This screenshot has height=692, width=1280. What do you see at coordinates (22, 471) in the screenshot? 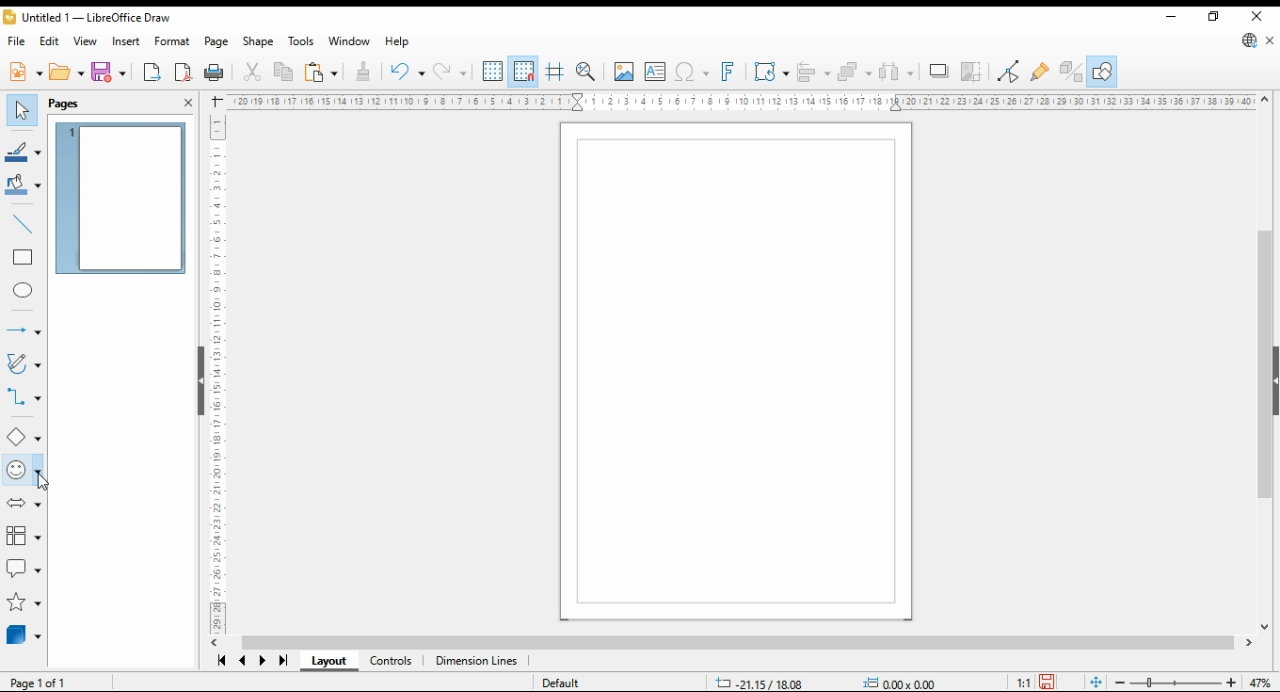
I see `symbol shapes` at bounding box center [22, 471].